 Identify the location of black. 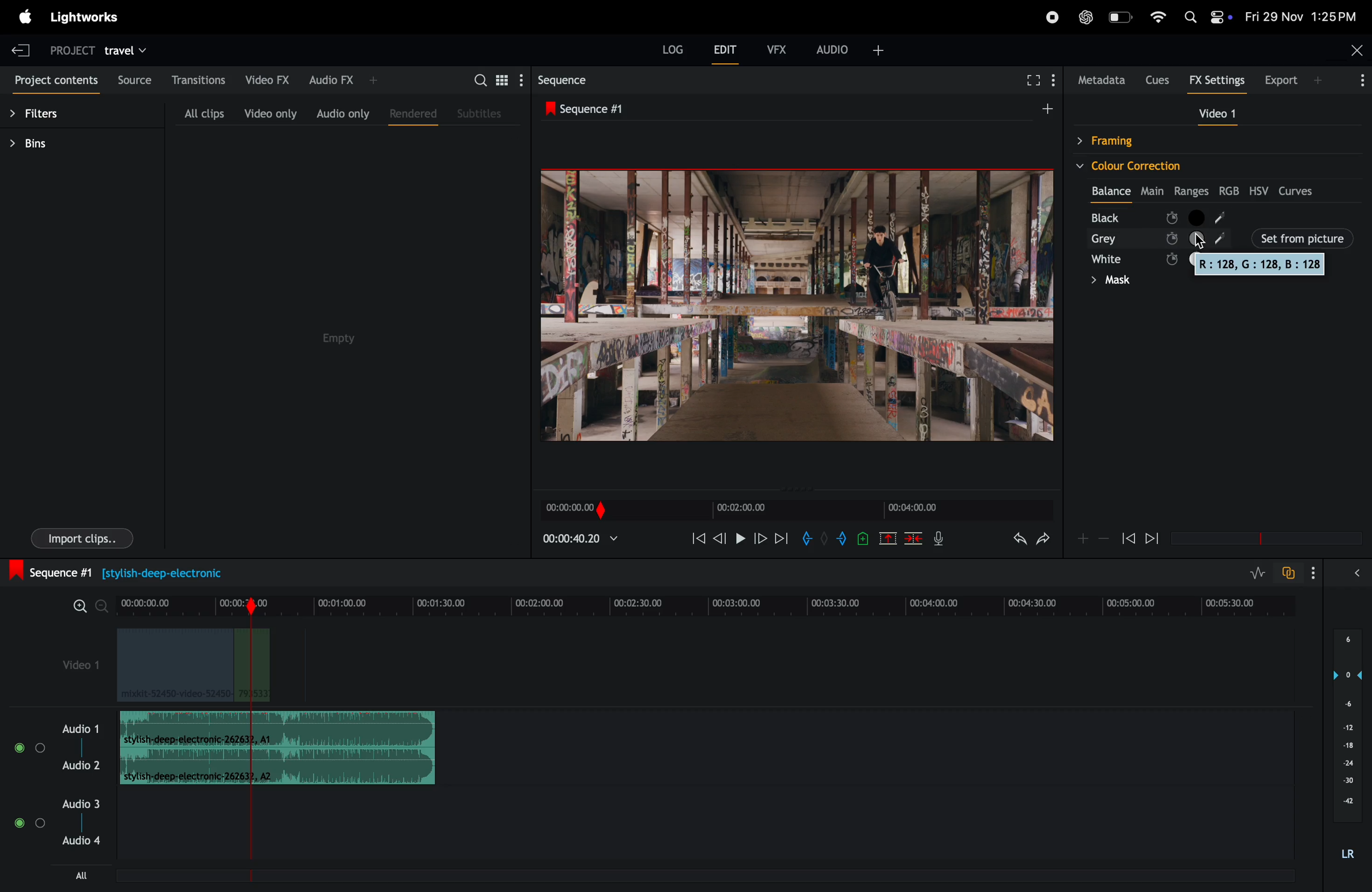
(1110, 217).